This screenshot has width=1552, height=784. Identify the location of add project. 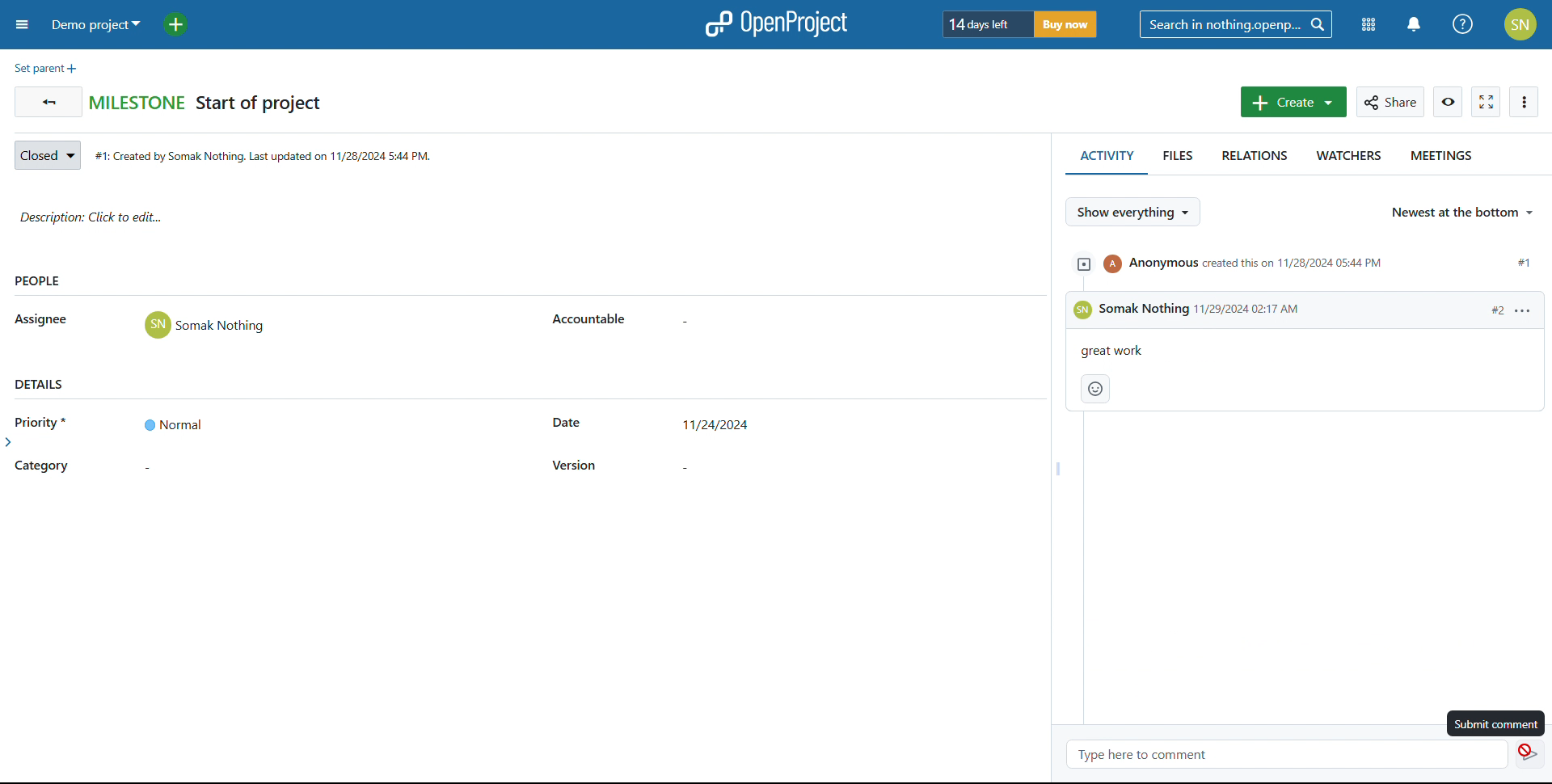
(181, 24).